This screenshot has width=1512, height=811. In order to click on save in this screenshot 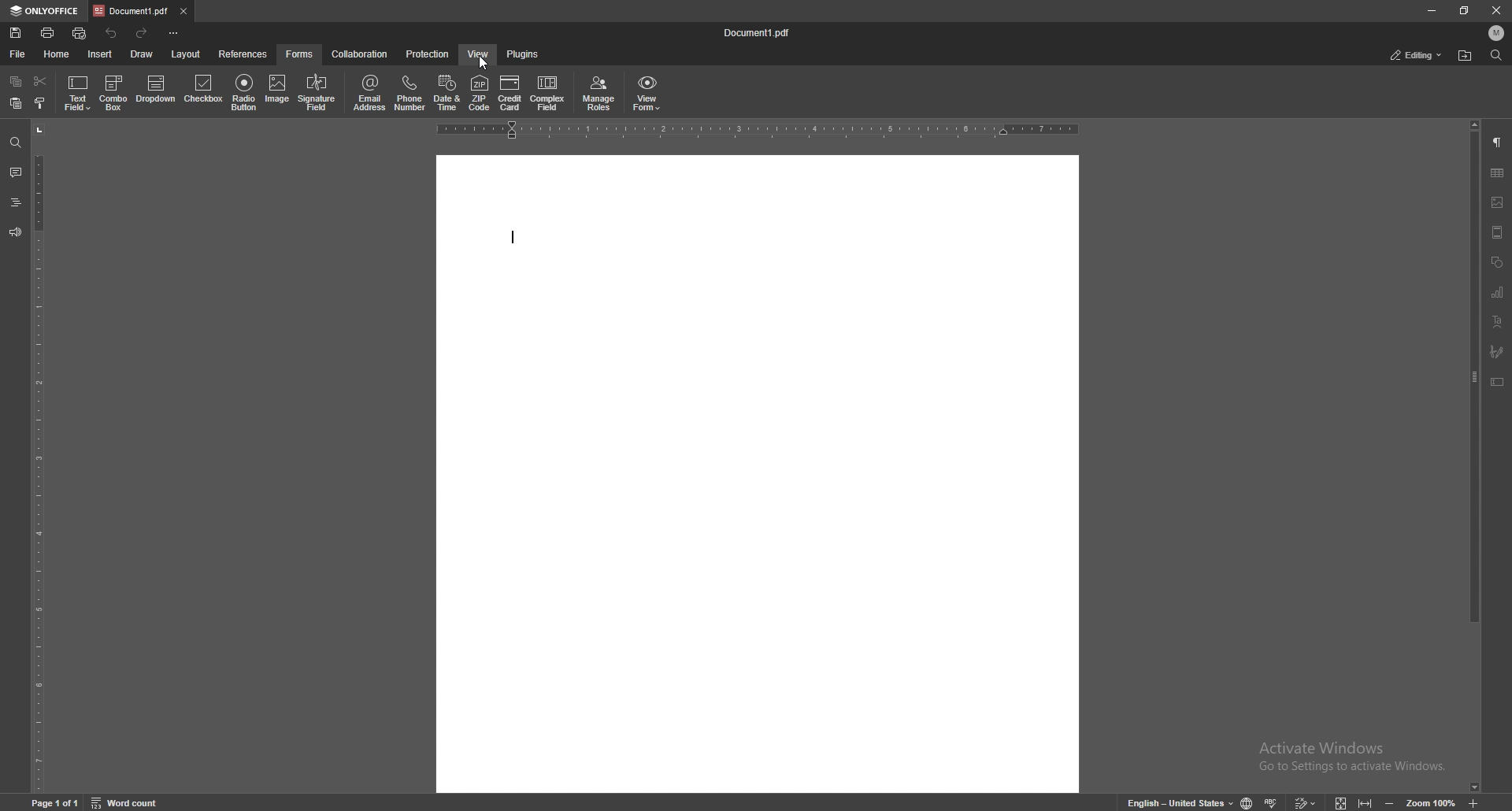, I will do `click(16, 33)`.